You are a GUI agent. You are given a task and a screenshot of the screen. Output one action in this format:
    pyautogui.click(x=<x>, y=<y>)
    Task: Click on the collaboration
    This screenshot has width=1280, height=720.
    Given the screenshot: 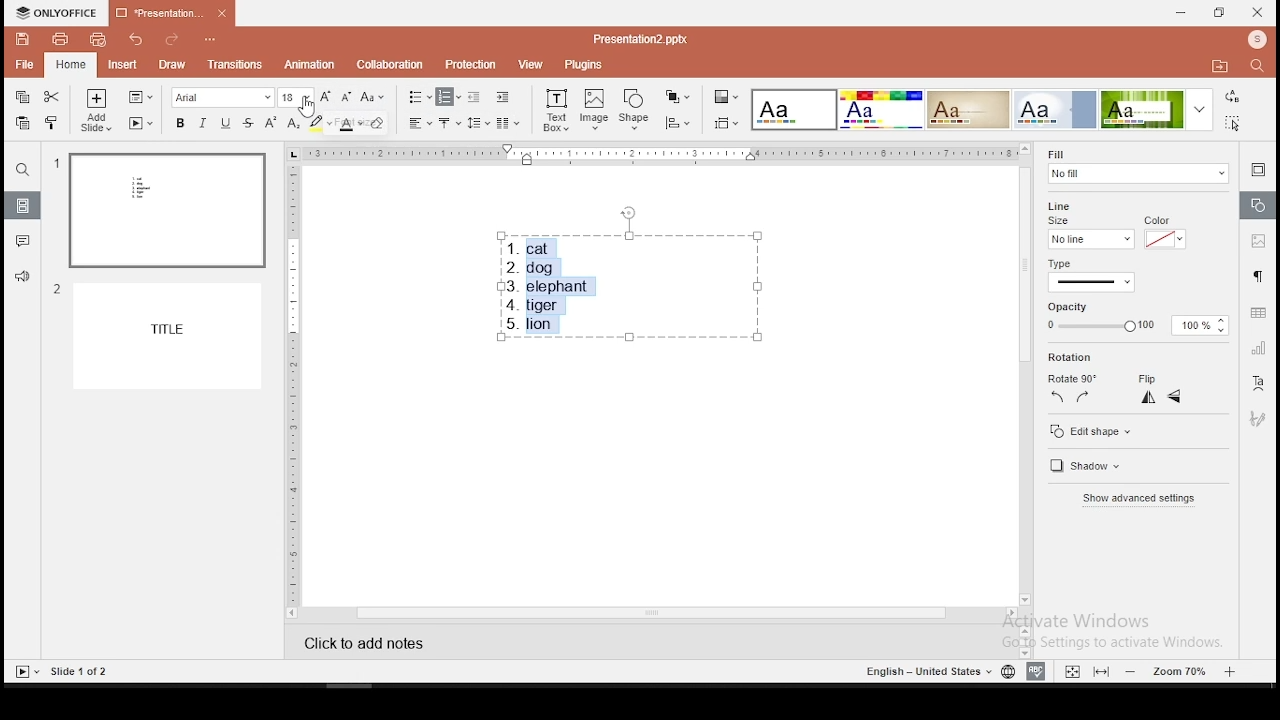 What is the action you would take?
    pyautogui.click(x=389, y=63)
    